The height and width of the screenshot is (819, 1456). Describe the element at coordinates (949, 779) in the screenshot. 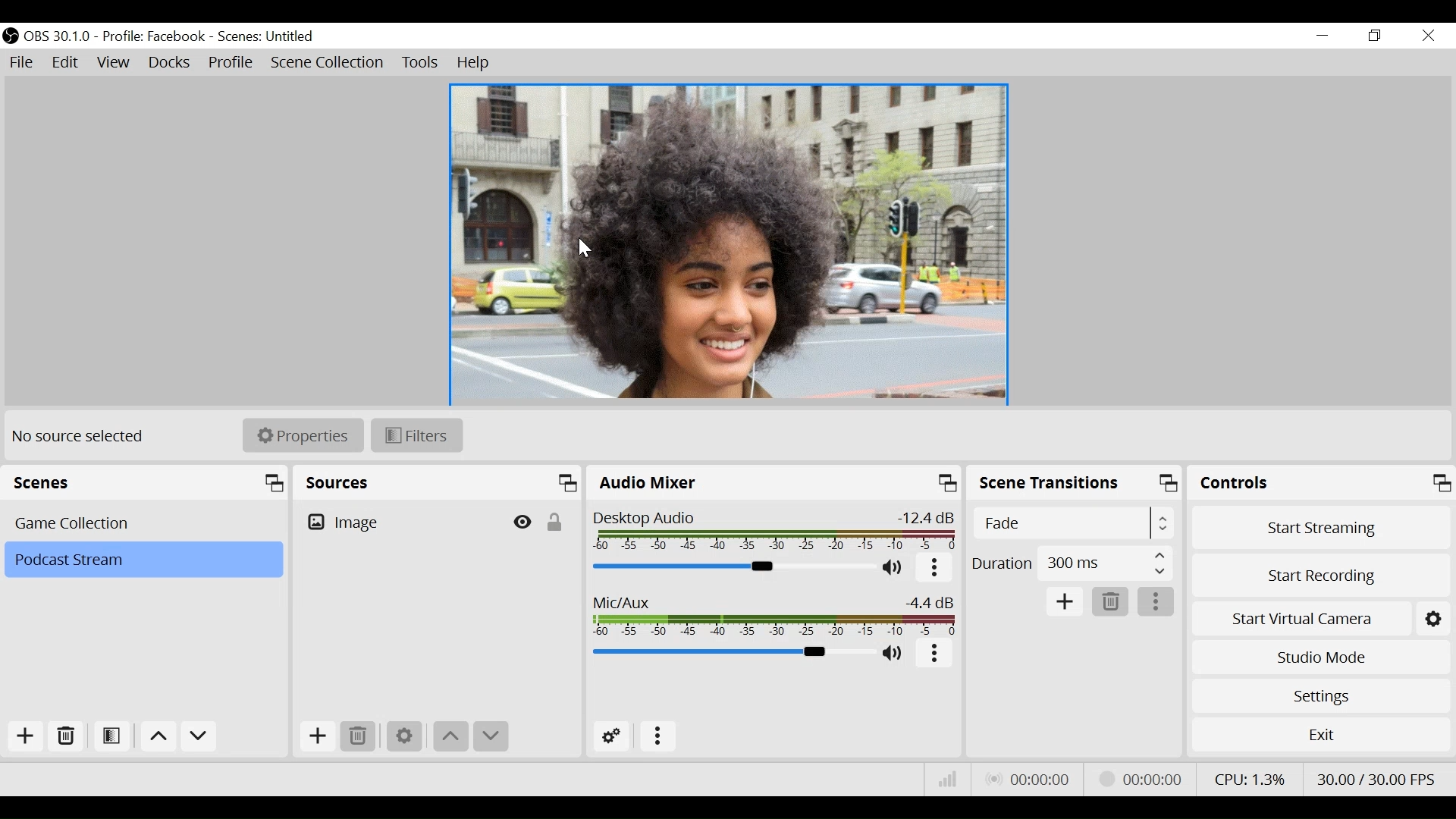

I see `Bitrate` at that location.